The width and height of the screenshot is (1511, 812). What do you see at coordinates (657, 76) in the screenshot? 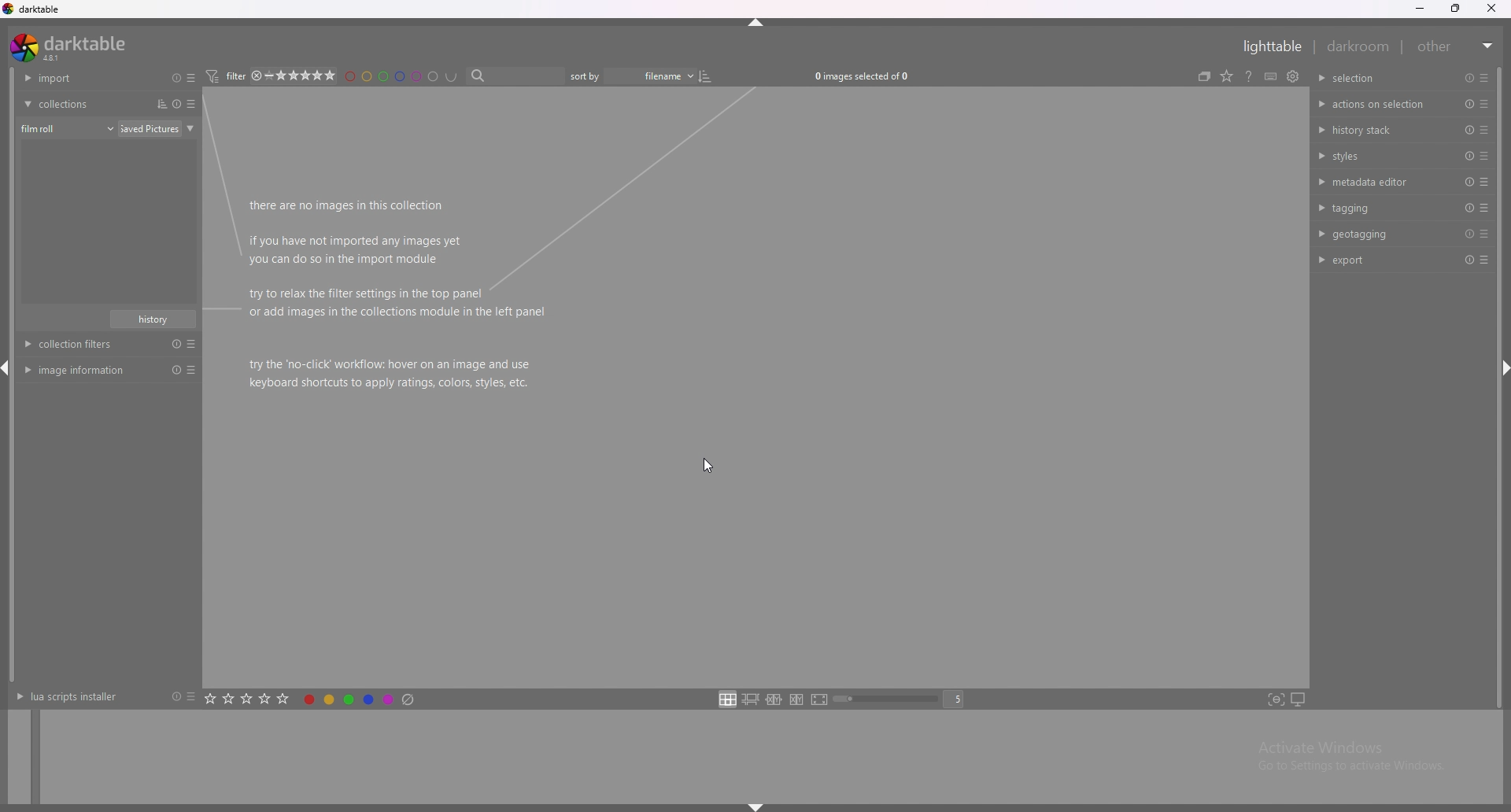
I see `filename` at bounding box center [657, 76].